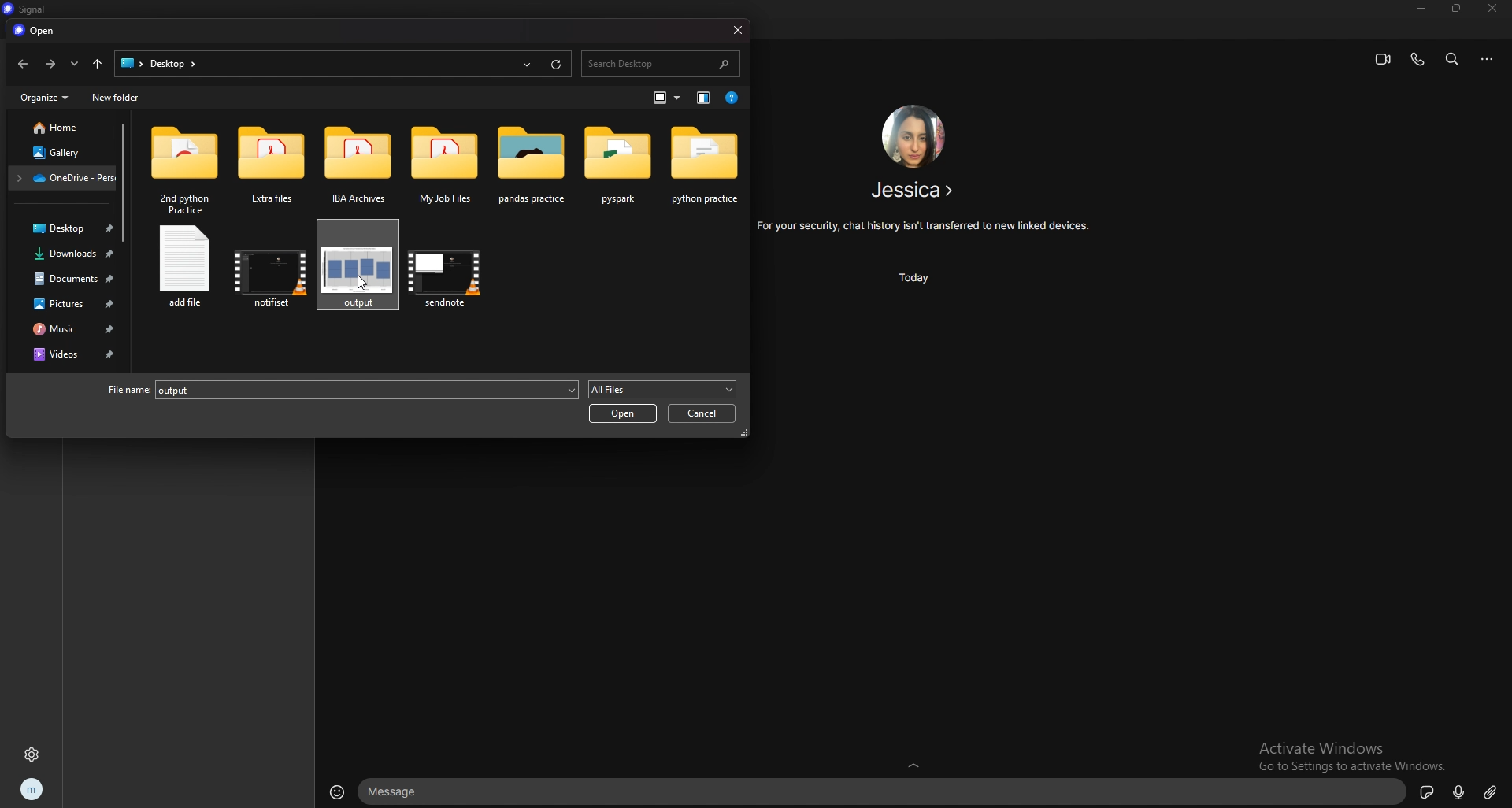 This screenshot has width=1512, height=808. Describe the element at coordinates (187, 272) in the screenshot. I see `file` at that location.